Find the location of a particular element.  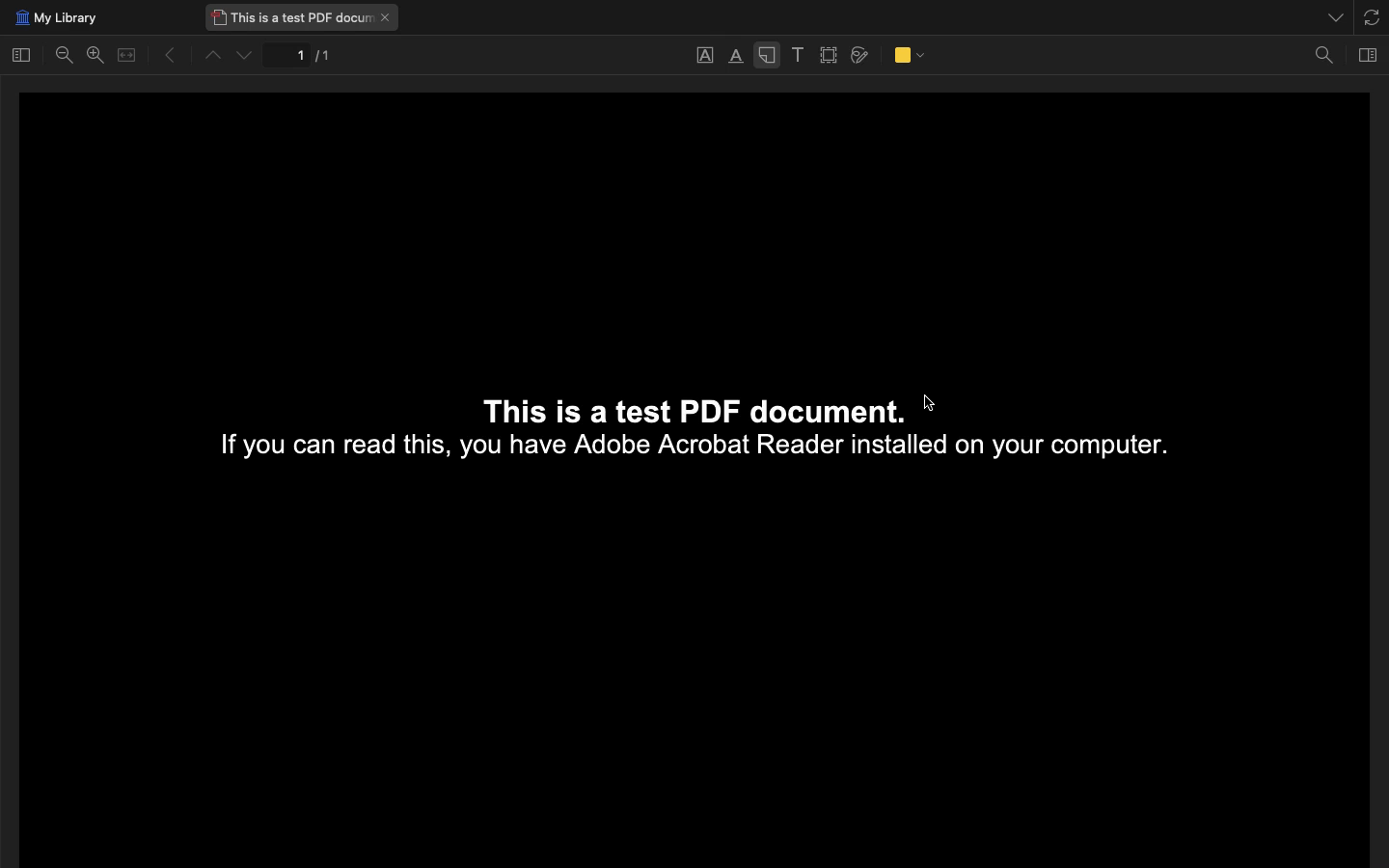

Previous is located at coordinates (163, 56).